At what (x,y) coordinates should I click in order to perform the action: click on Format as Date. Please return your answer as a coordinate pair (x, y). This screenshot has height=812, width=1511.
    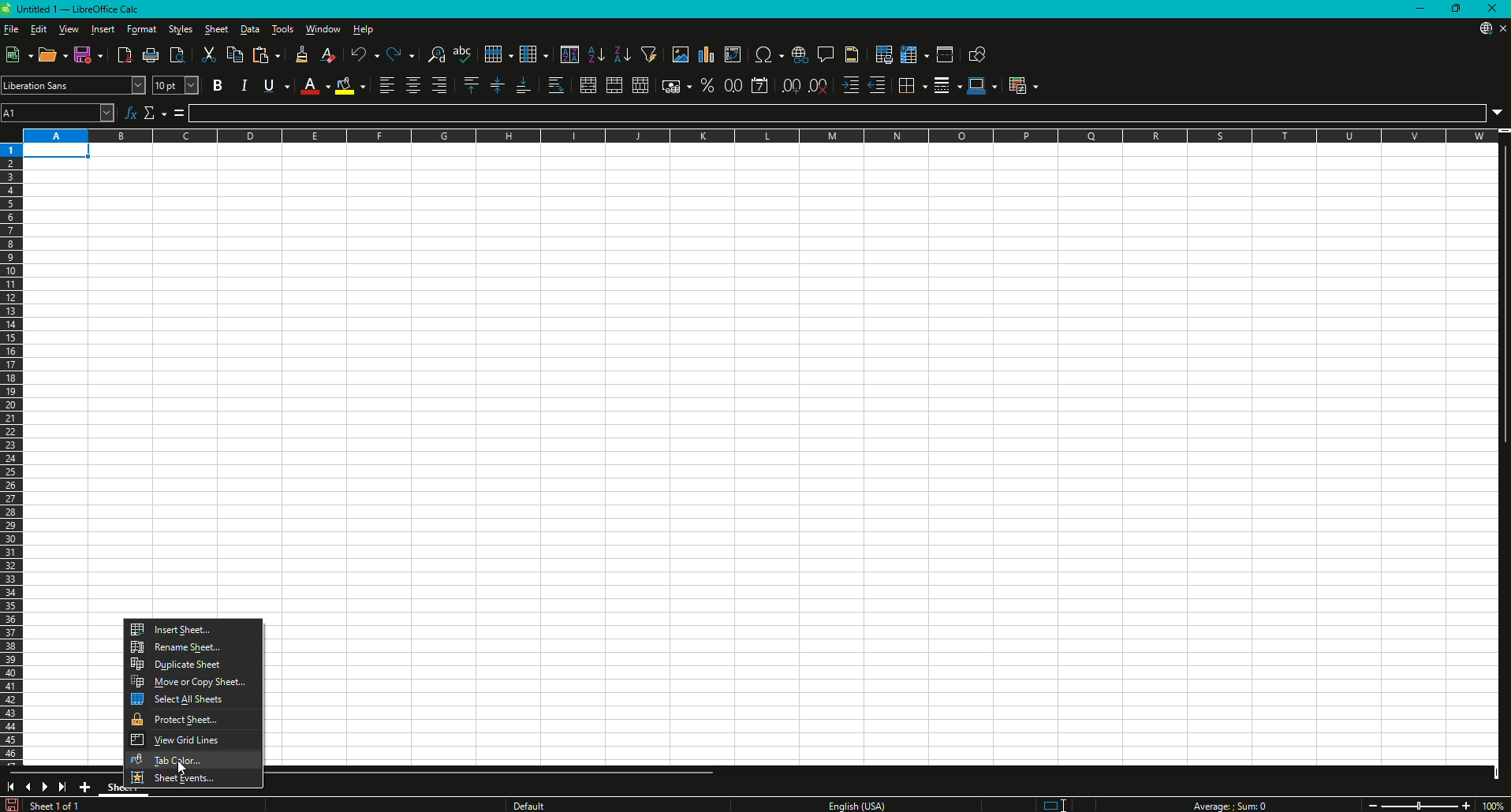
    Looking at the image, I should click on (760, 85).